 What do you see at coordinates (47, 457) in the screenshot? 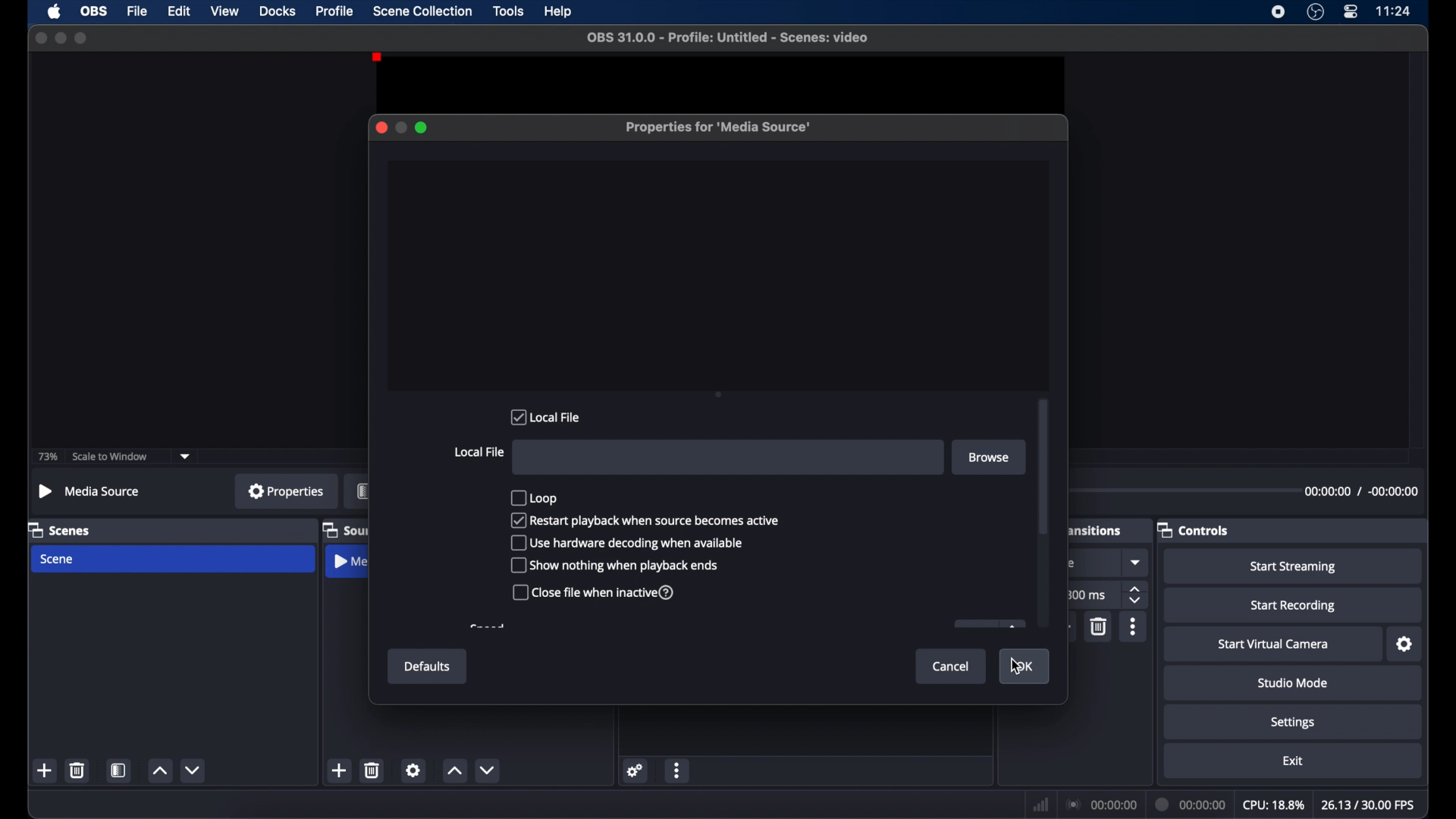
I see `73%` at bounding box center [47, 457].